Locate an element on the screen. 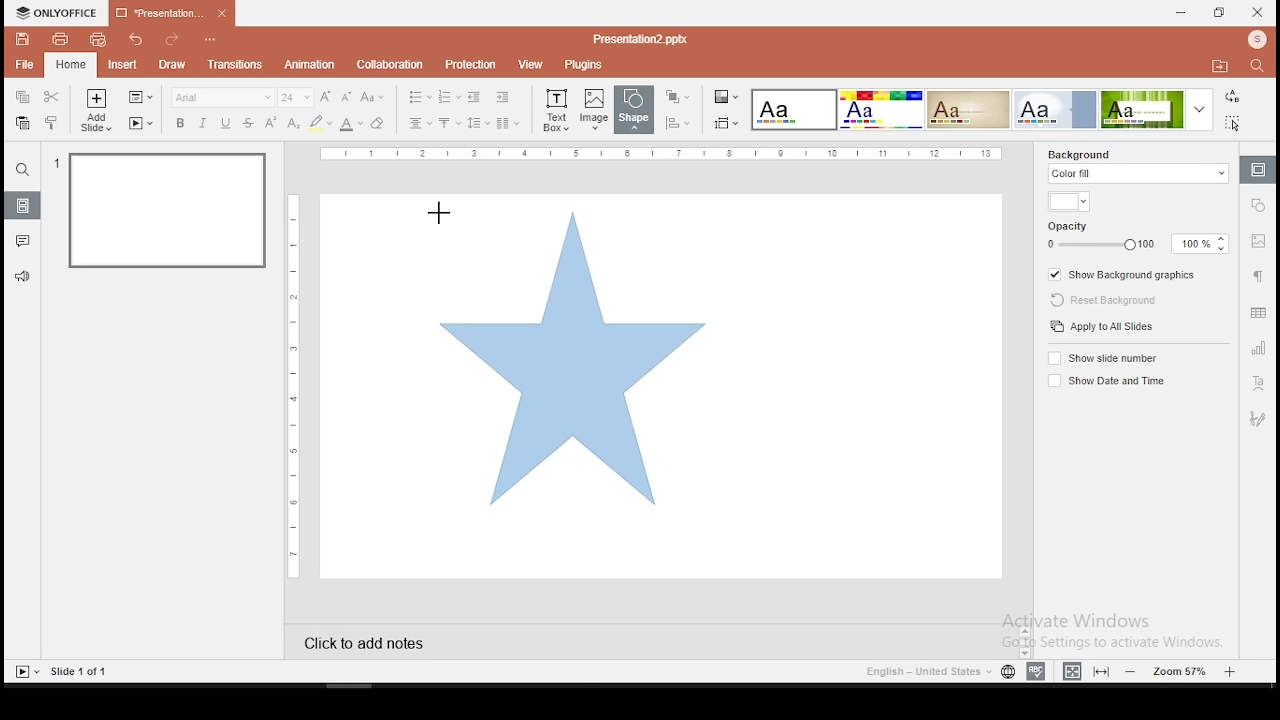 The width and height of the screenshot is (1280, 720). font size is located at coordinates (297, 97).